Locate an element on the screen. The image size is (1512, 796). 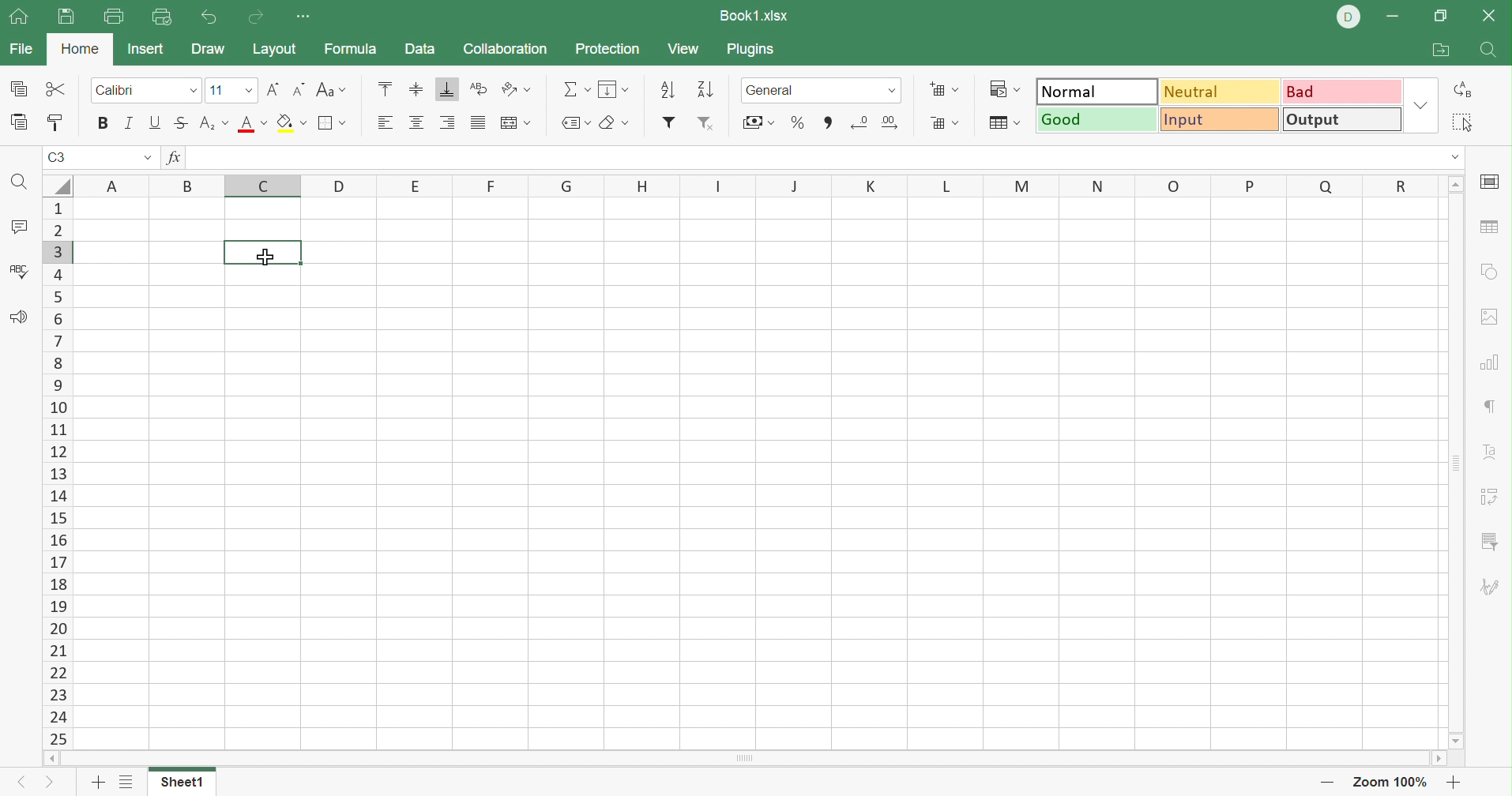
Close is located at coordinates (1488, 15).